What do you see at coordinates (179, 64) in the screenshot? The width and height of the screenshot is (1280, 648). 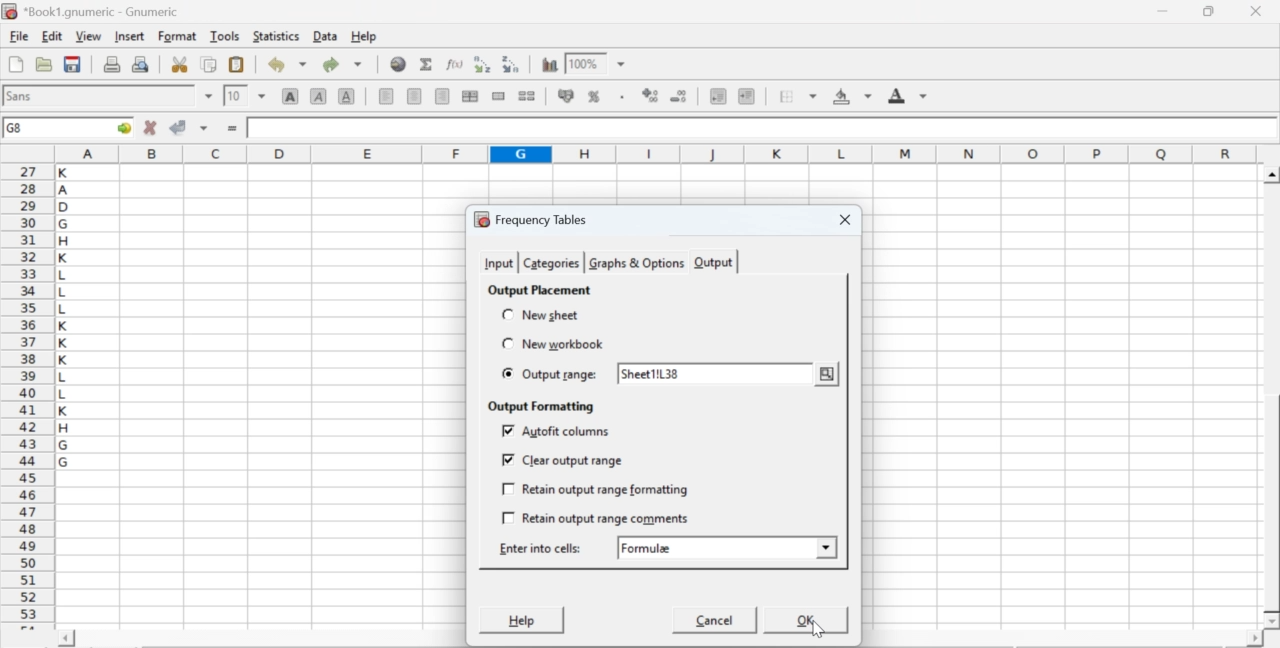 I see `cut` at bounding box center [179, 64].